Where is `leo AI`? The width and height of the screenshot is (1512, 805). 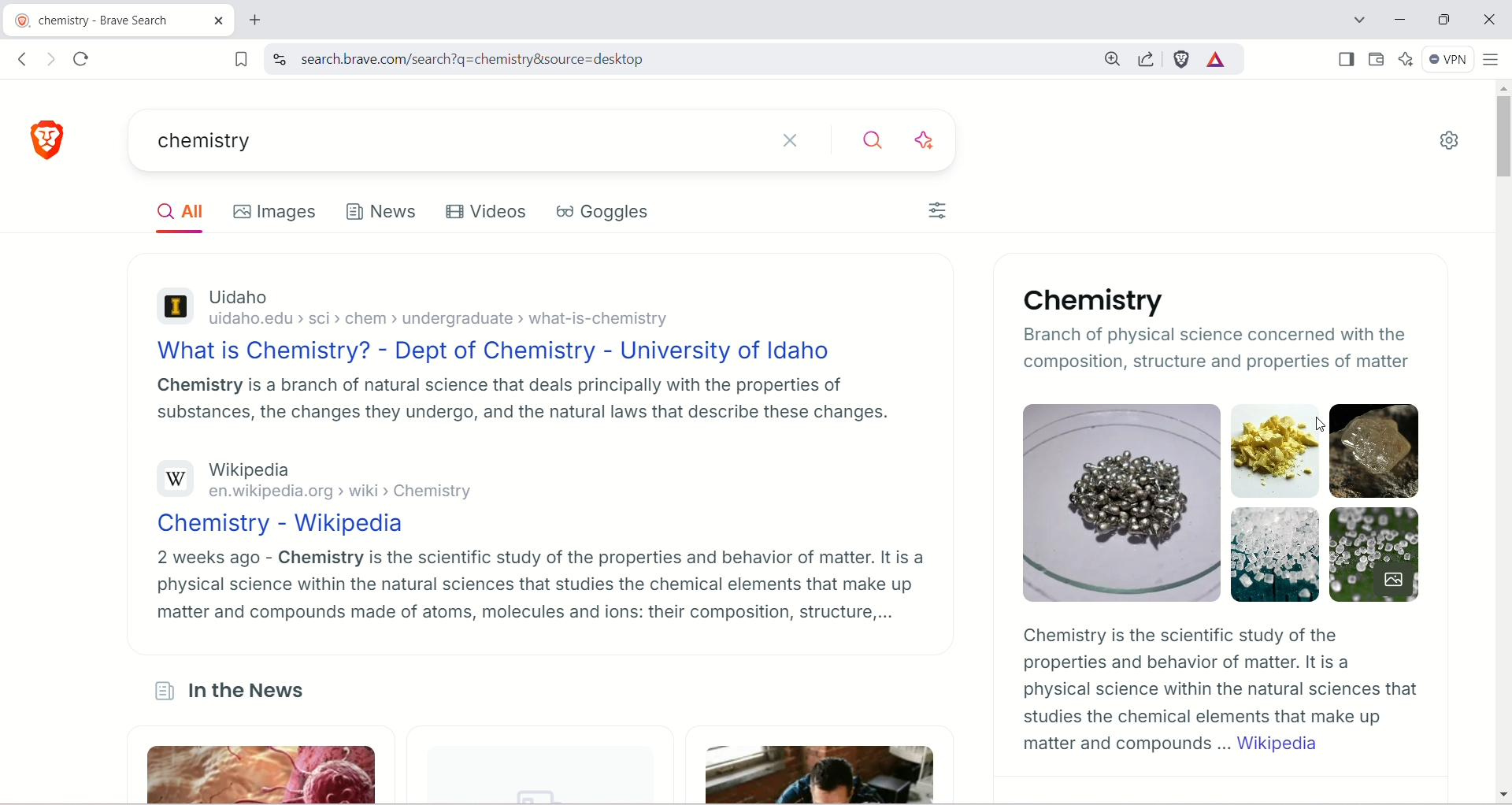 leo AI is located at coordinates (1404, 57).